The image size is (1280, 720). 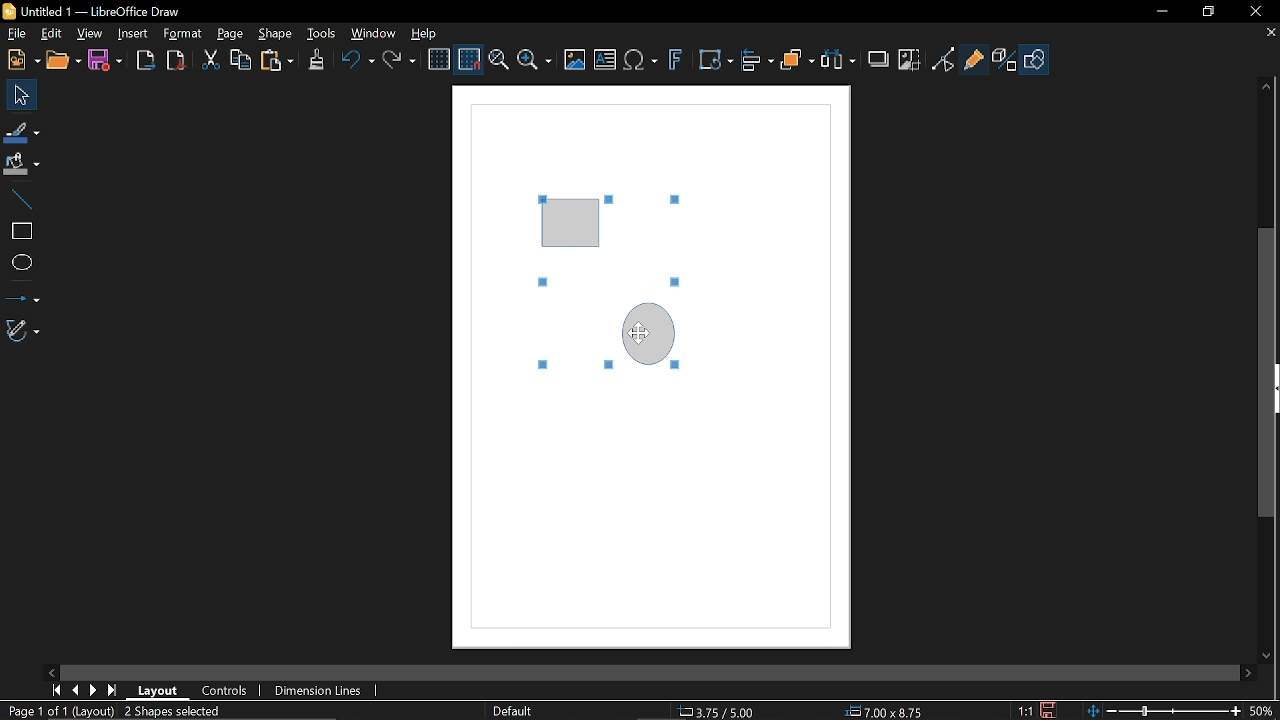 What do you see at coordinates (19, 229) in the screenshot?
I see `Rectangle` at bounding box center [19, 229].